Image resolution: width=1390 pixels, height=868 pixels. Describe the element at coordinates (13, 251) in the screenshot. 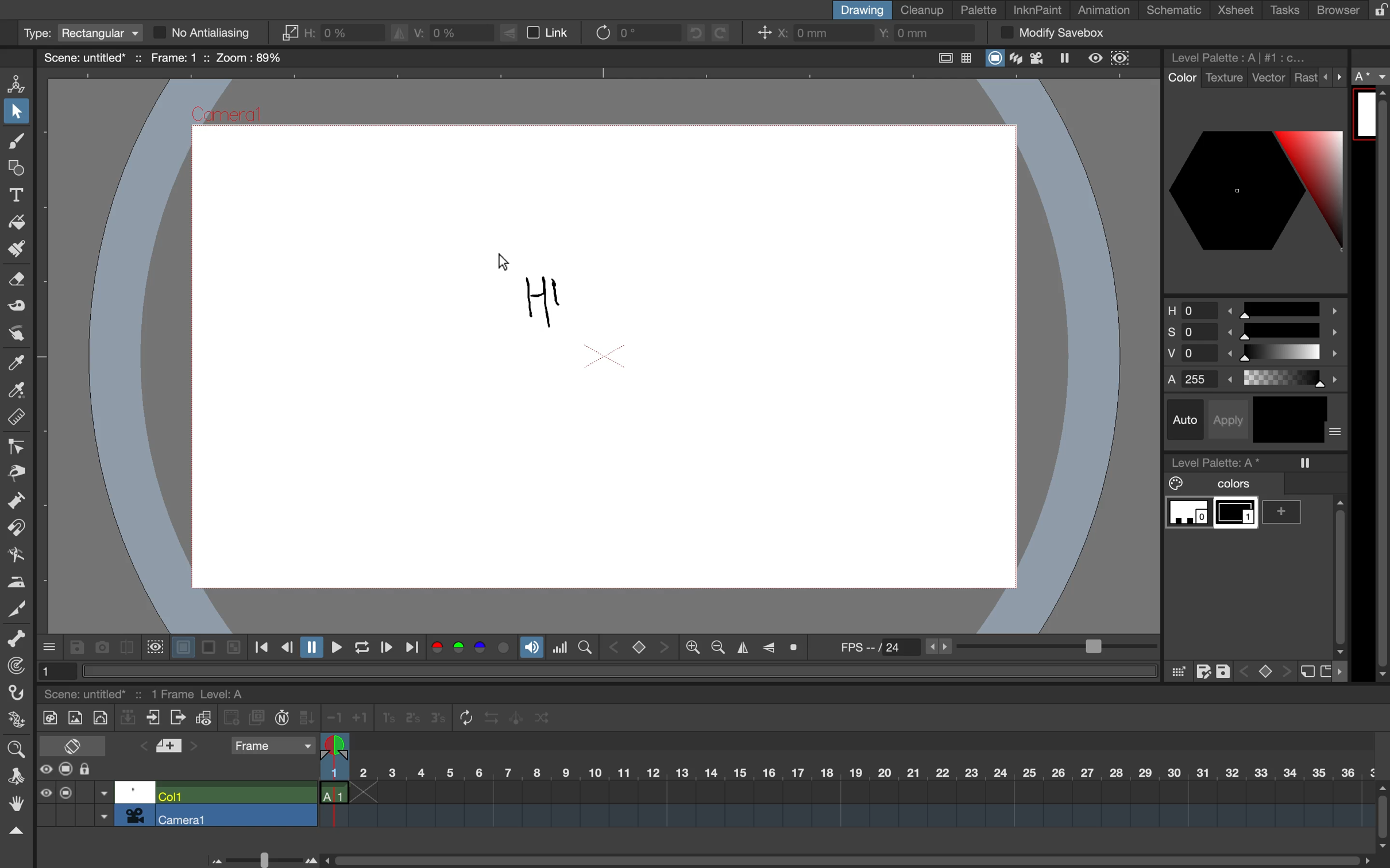

I see `paint brush tool` at that location.